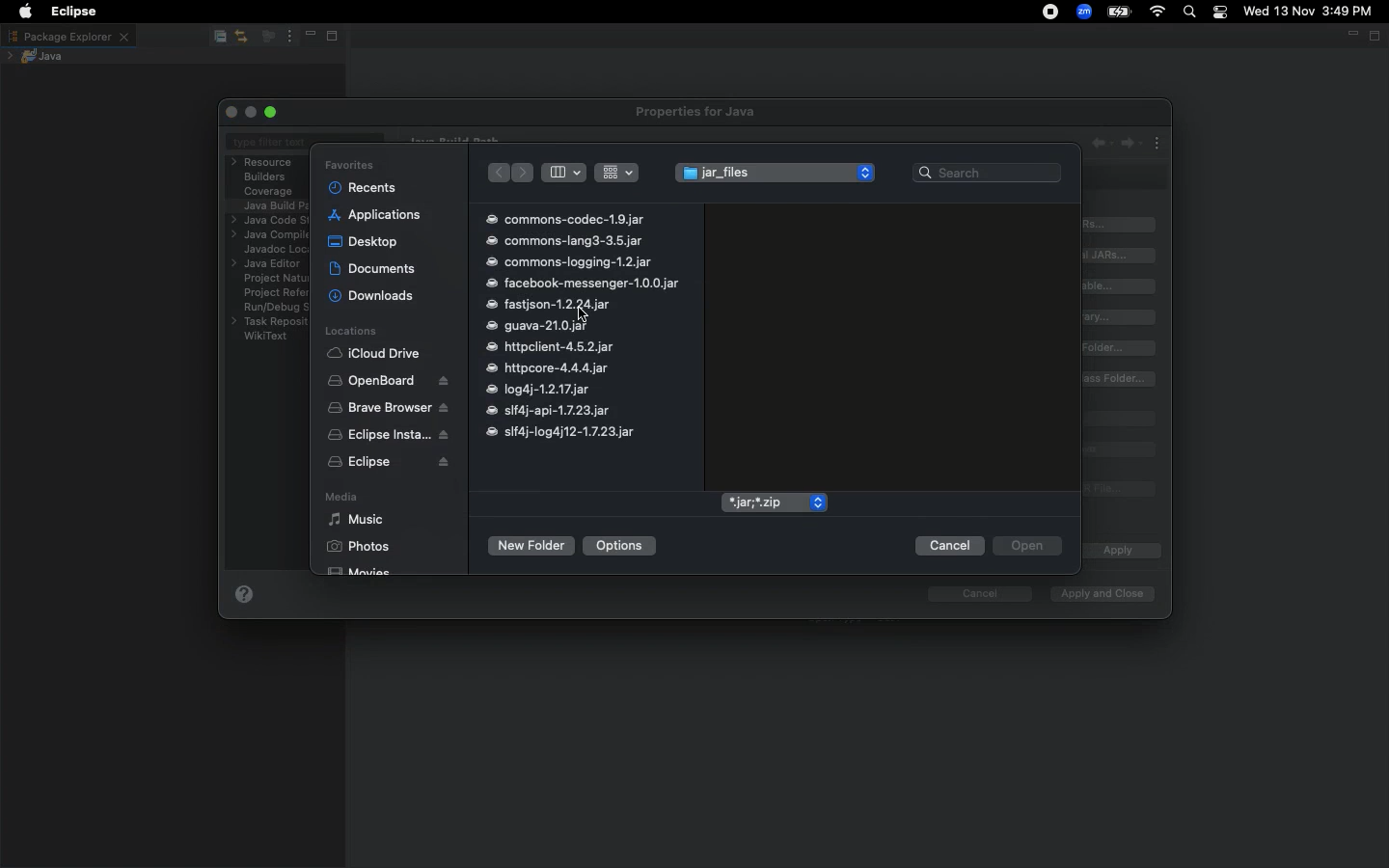 Image resolution: width=1389 pixels, height=868 pixels. Describe the element at coordinates (264, 162) in the screenshot. I see `Resource` at that location.